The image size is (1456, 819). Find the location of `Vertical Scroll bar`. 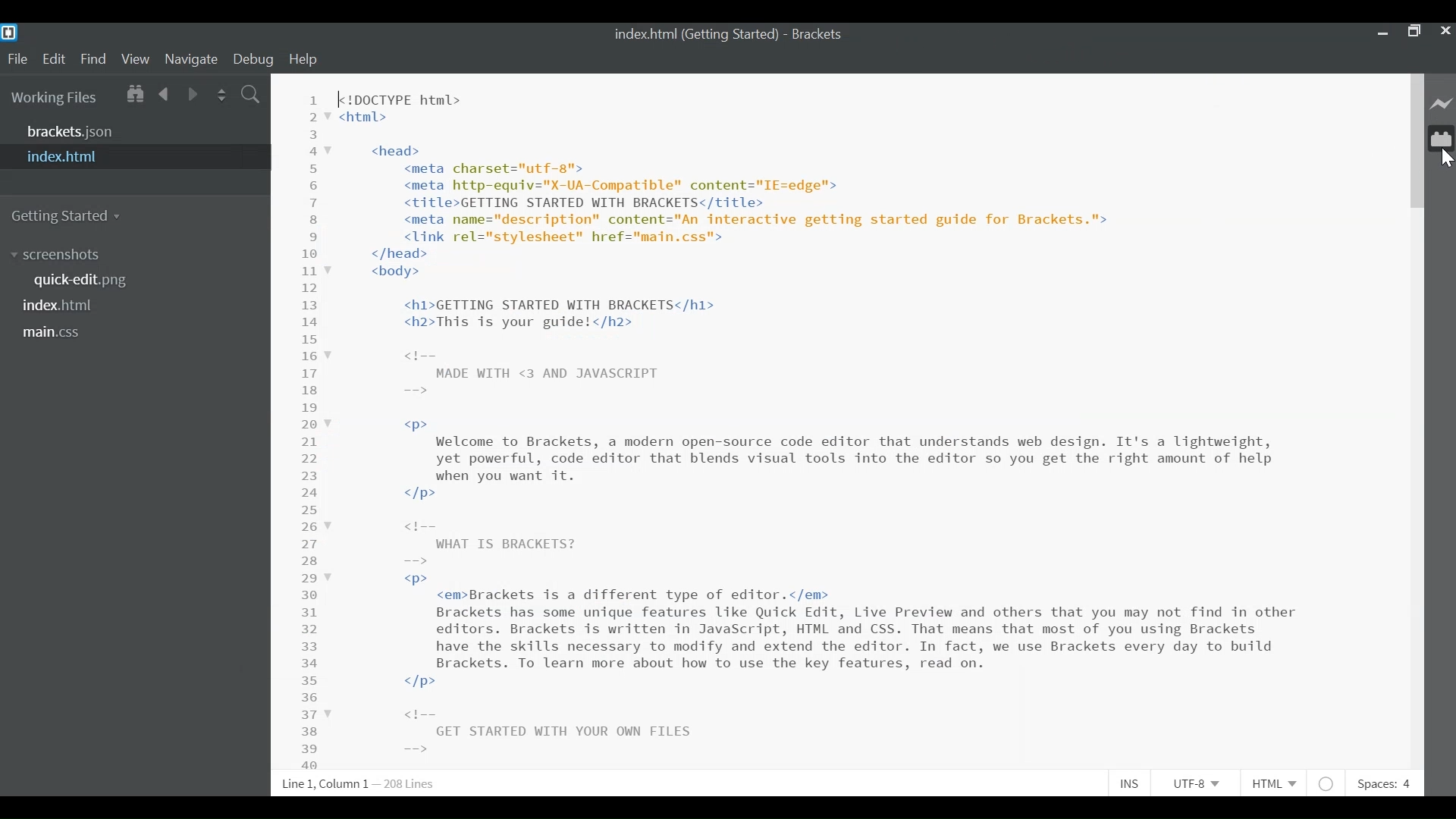

Vertical Scroll bar is located at coordinates (1414, 143).